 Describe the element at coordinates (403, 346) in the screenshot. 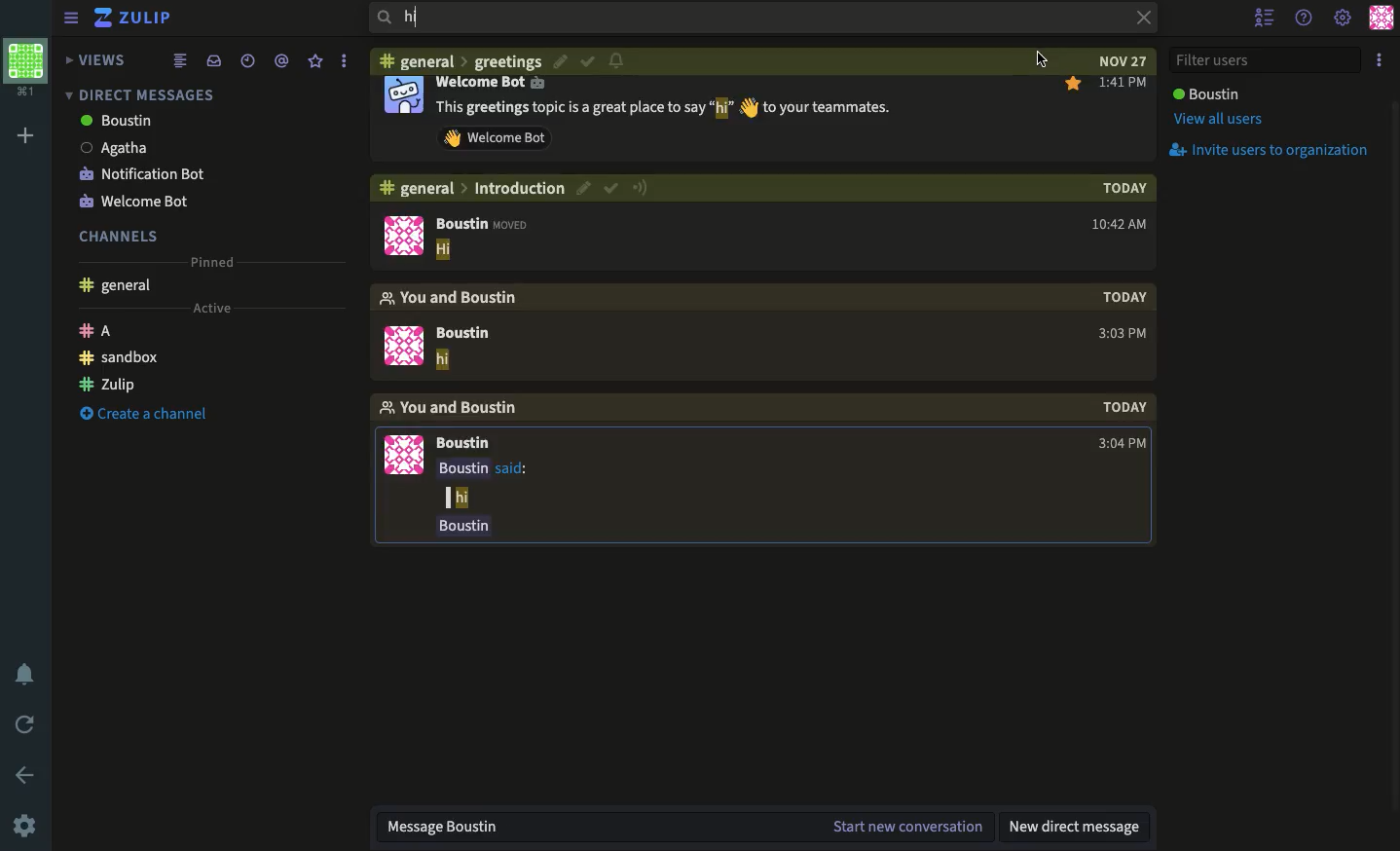

I see `display picture` at that location.